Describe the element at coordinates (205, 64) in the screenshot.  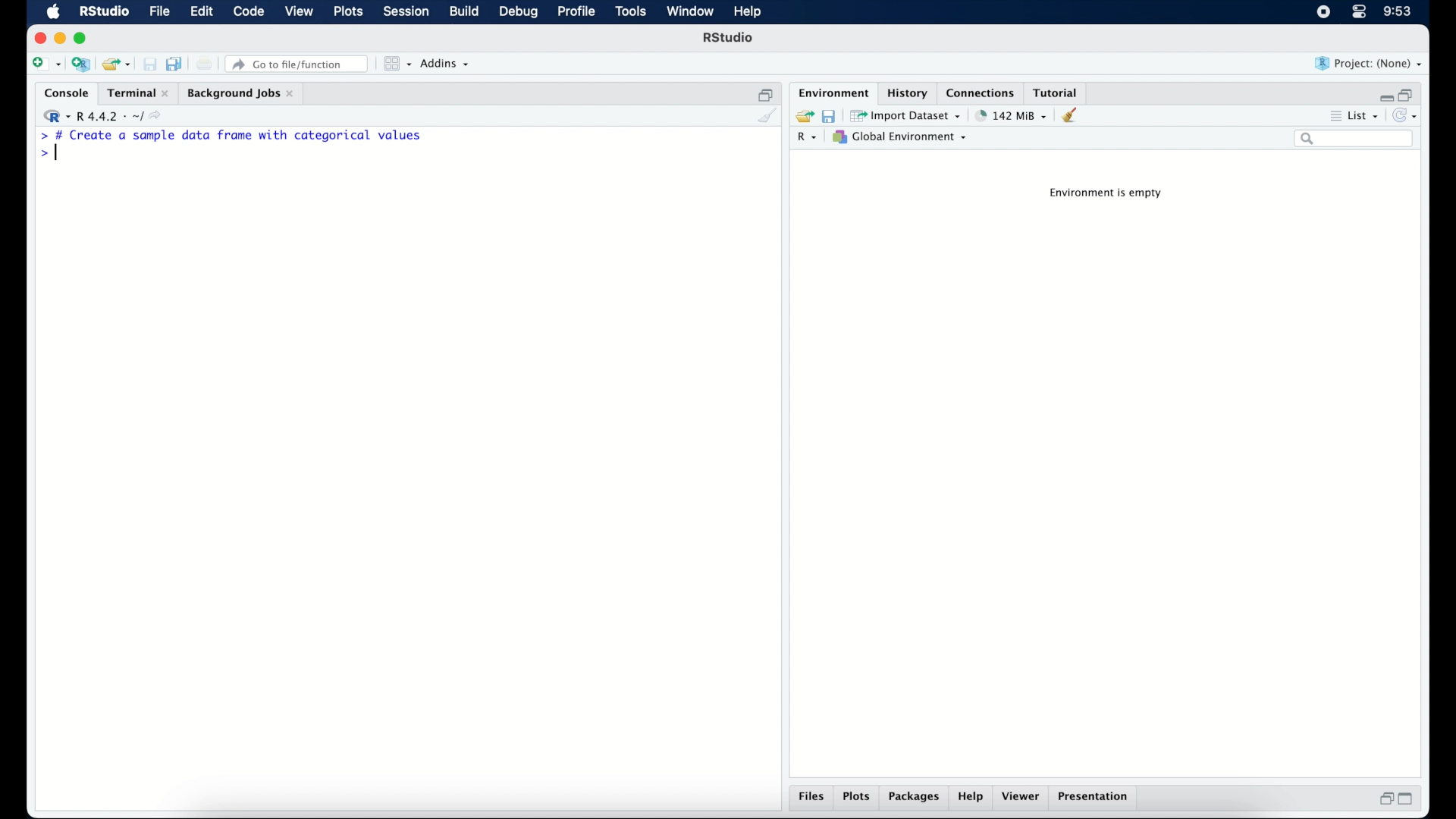
I see `print` at that location.